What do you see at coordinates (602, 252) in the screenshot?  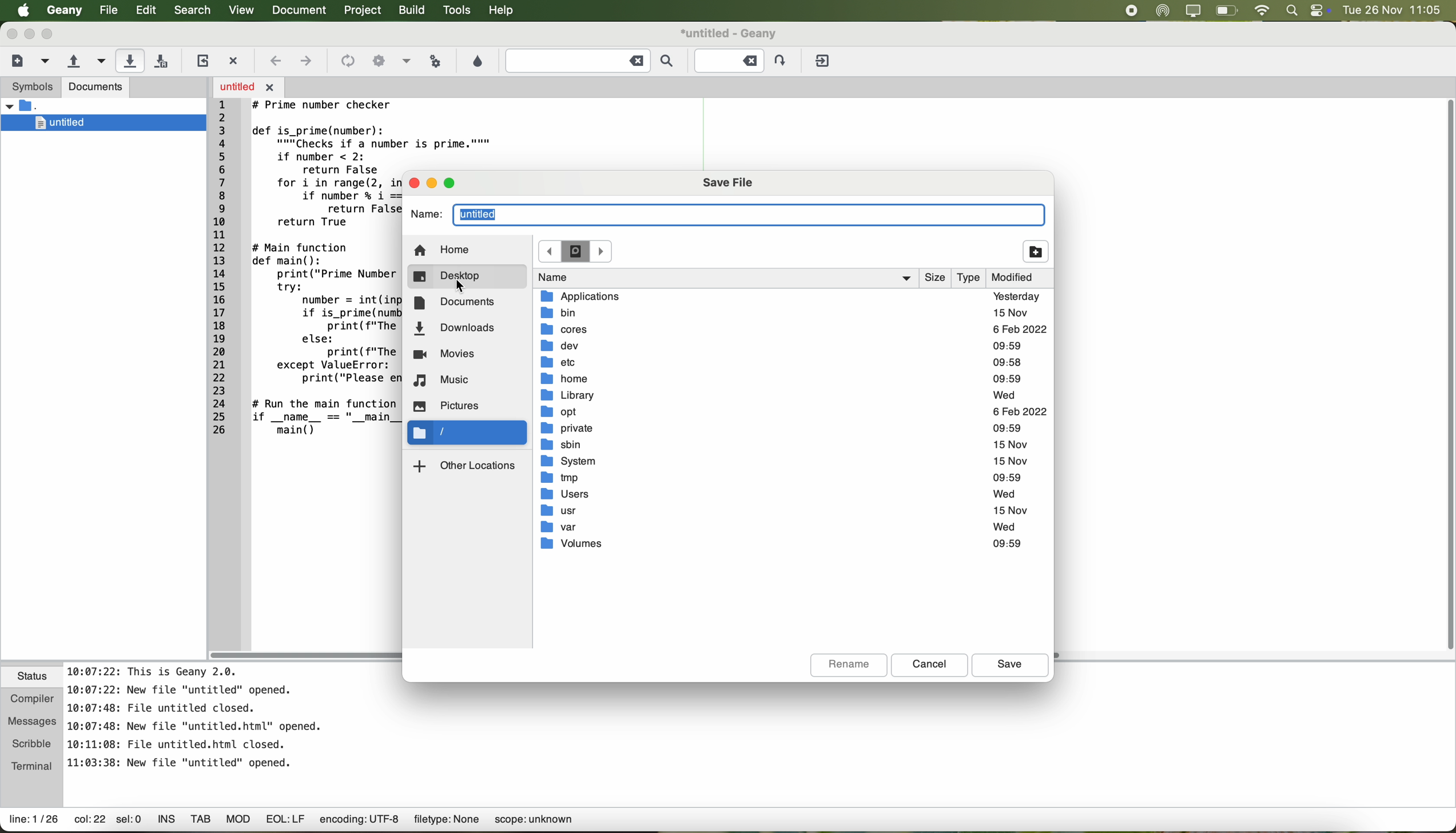 I see `navigate foward` at bounding box center [602, 252].